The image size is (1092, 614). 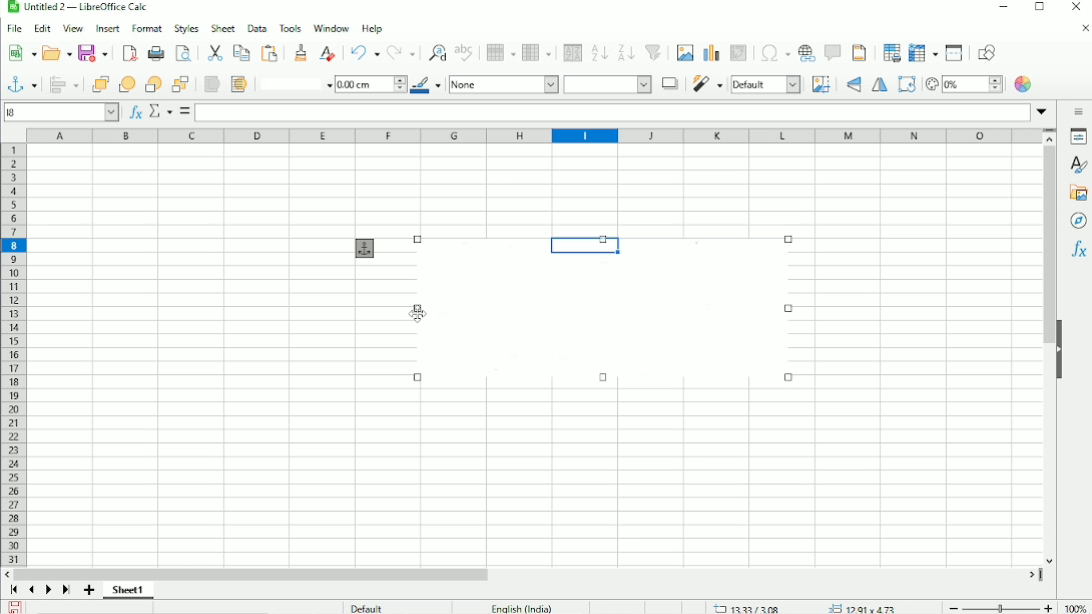 I want to click on Save, so click(x=93, y=54).